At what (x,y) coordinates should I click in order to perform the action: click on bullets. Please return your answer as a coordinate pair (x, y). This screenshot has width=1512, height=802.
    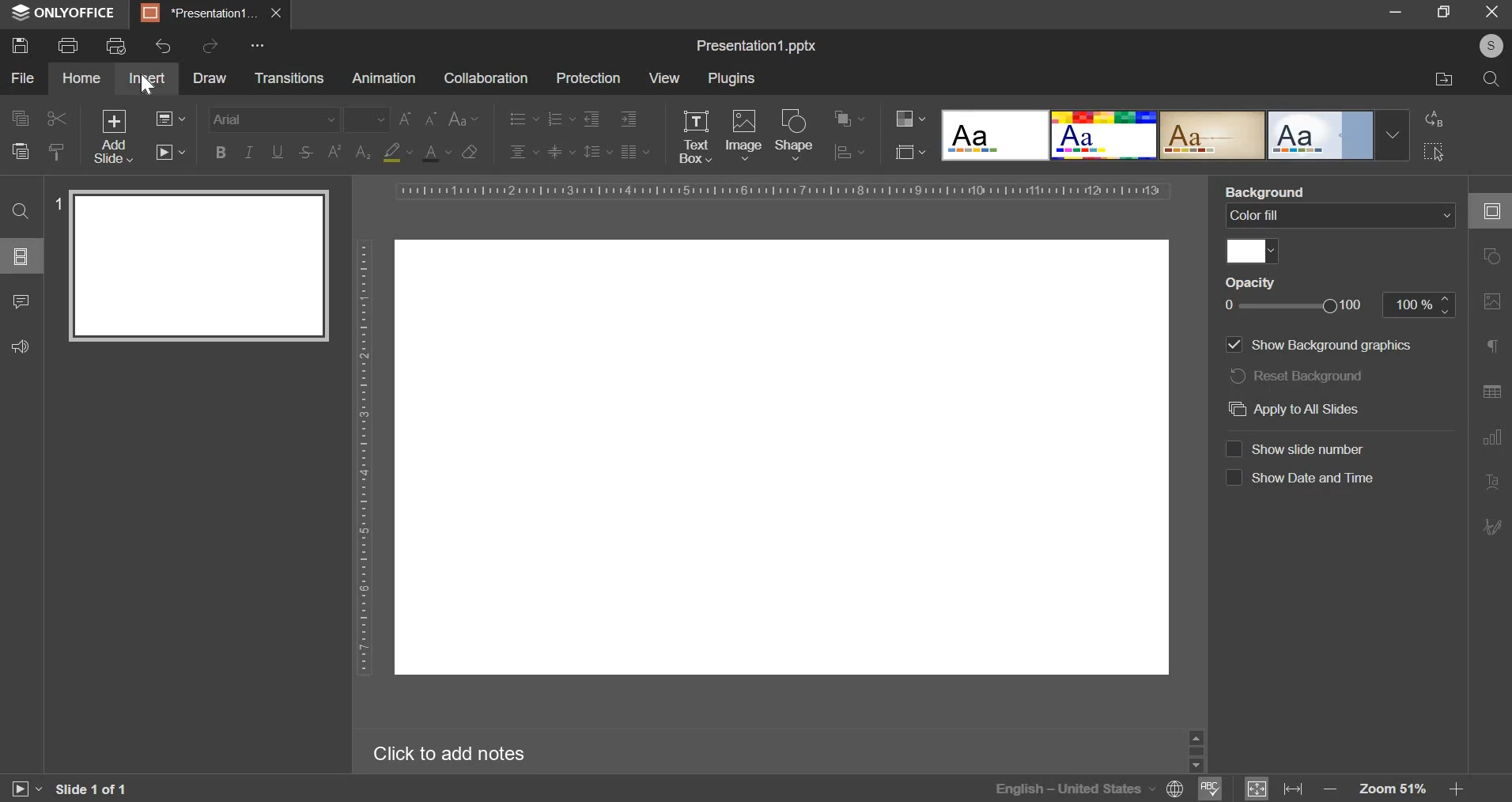
    Looking at the image, I should click on (523, 119).